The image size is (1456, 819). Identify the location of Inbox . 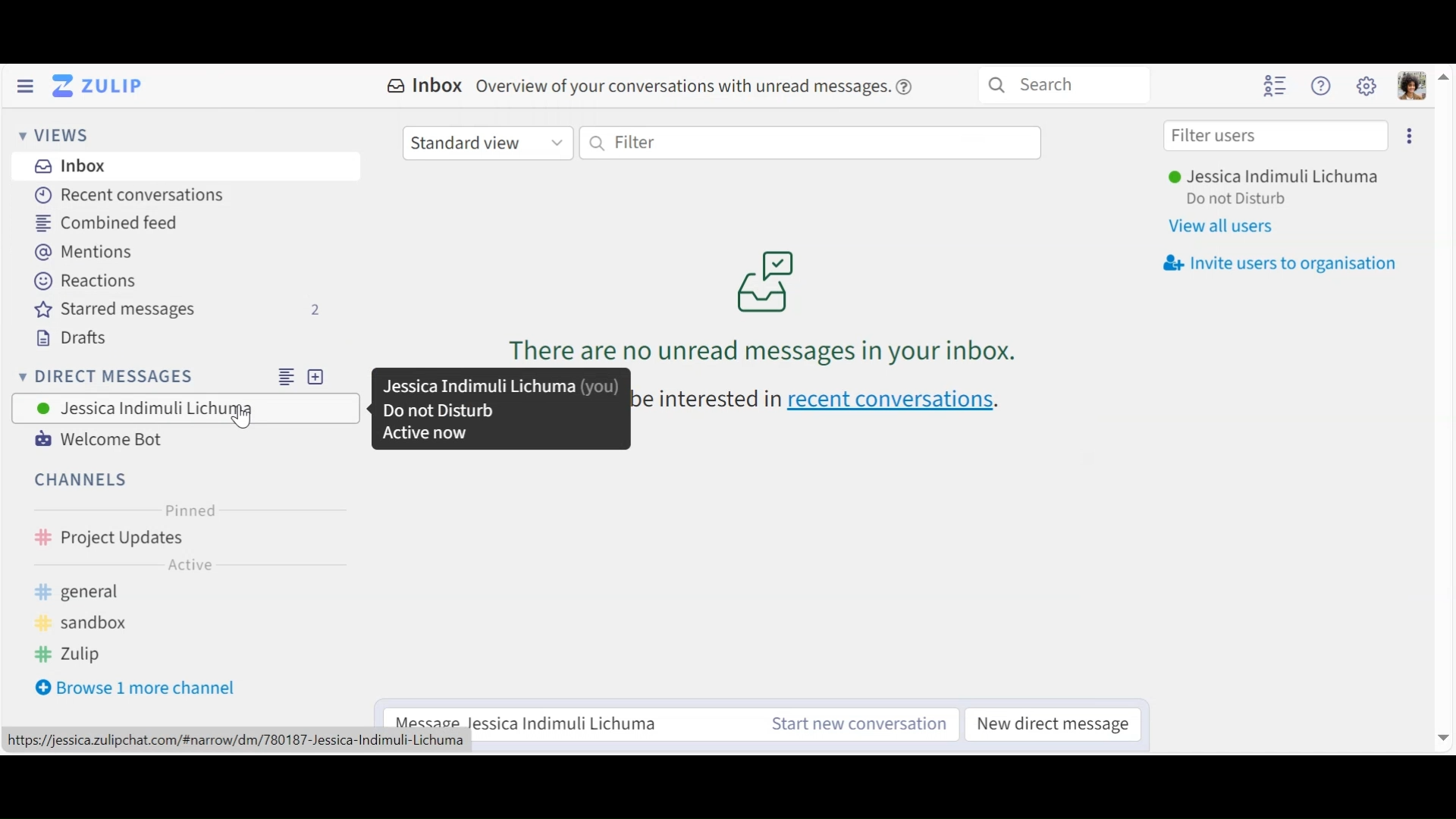
(650, 85).